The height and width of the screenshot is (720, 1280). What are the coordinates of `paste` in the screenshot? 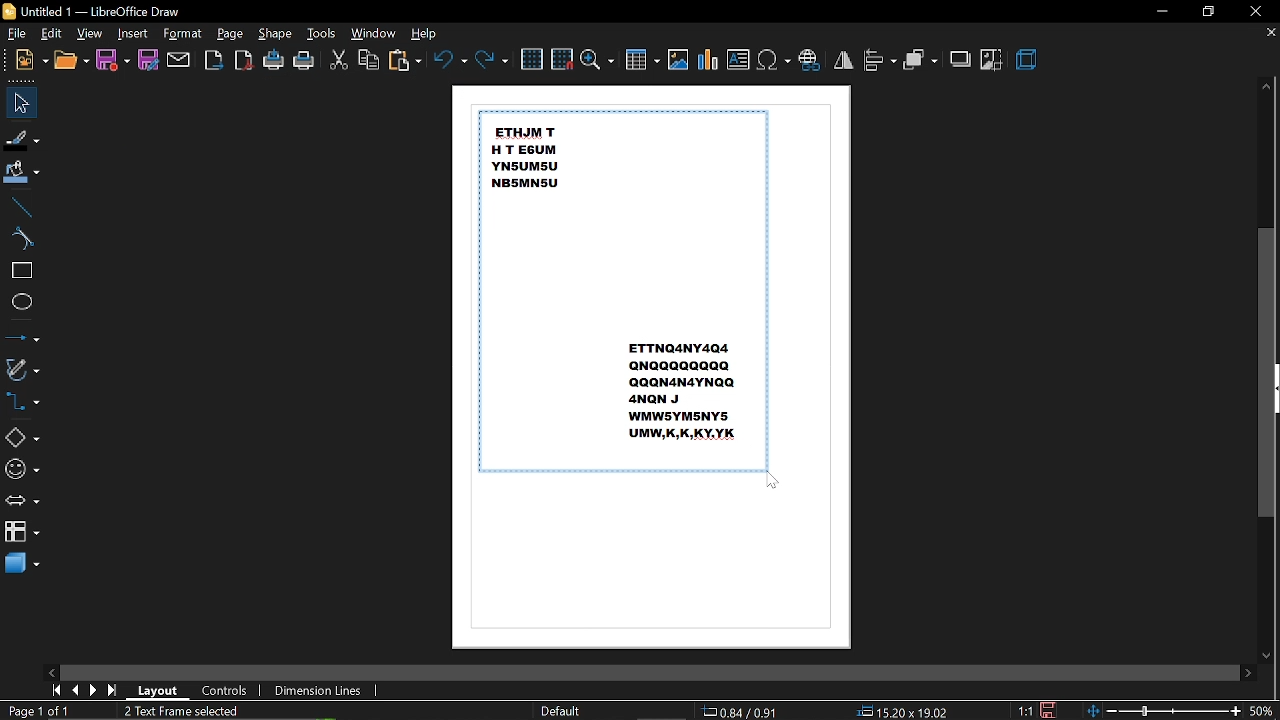 It's located at (403, 61).